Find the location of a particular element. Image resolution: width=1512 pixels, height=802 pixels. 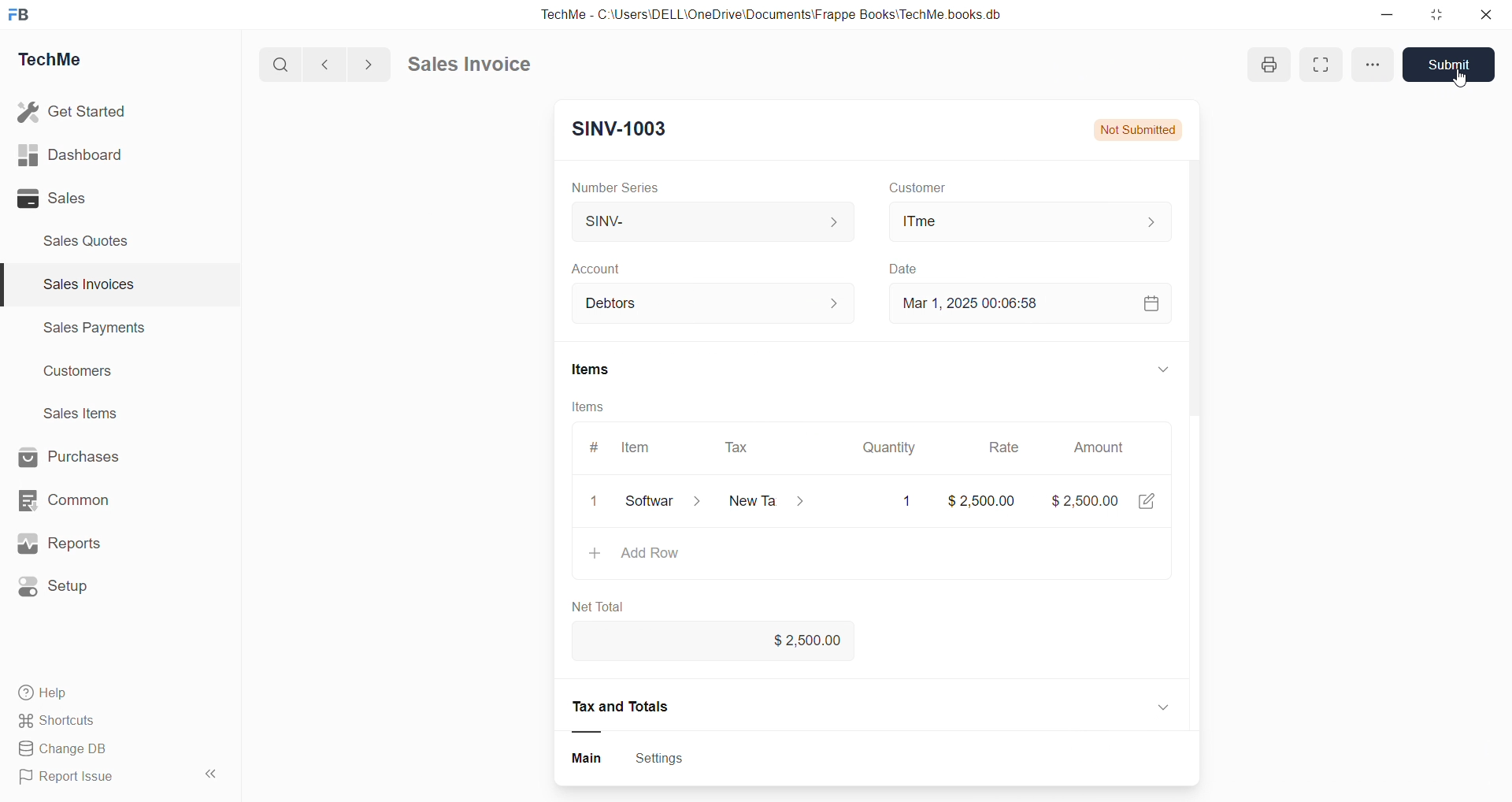

TechMe is located at coordinates (63, 62).